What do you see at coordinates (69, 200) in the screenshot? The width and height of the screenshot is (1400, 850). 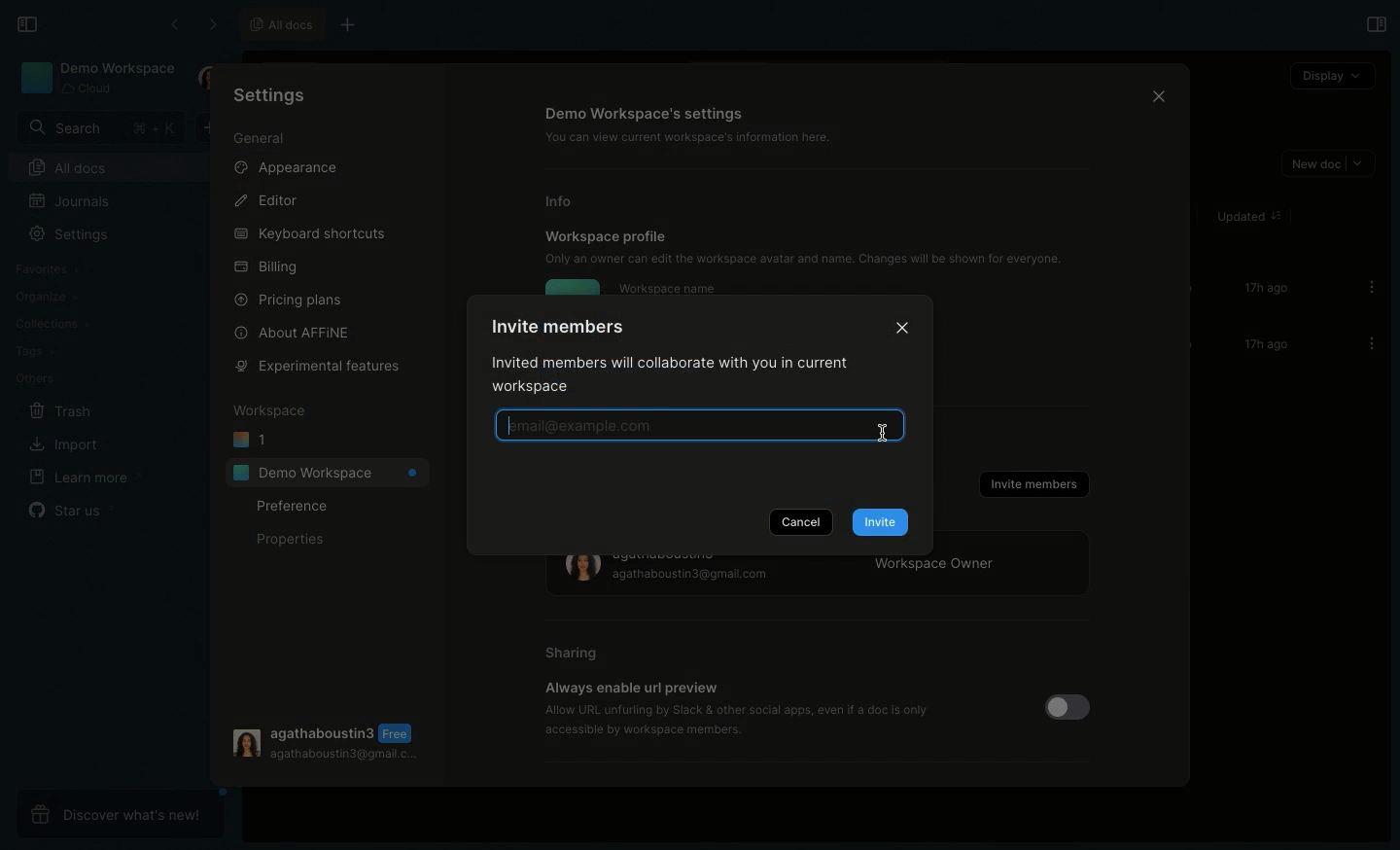 I see `Journals` at bounding box center [69, 200].